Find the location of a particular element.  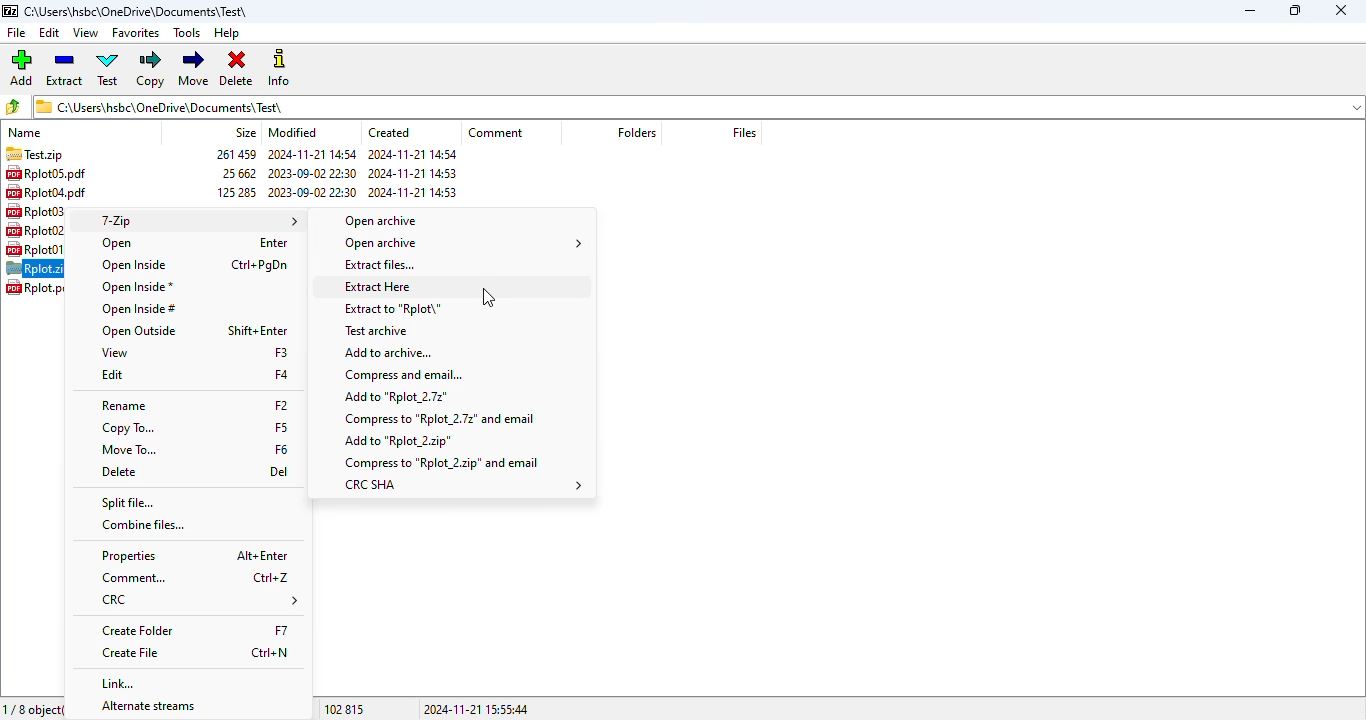

7-Zip is located at coordinates (200, 221).